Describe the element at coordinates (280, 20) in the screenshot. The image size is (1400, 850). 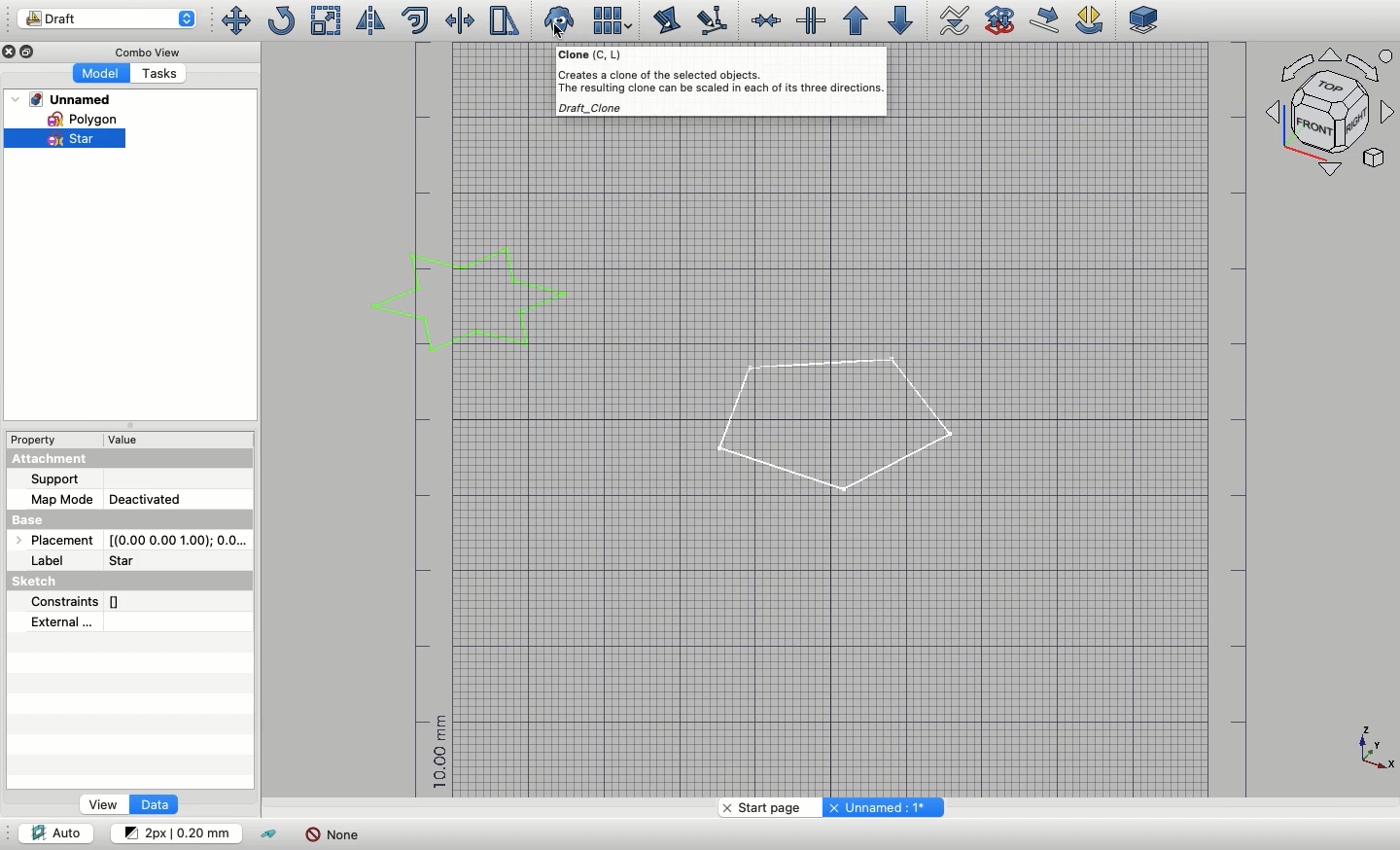
I see `Rotate` at that location.